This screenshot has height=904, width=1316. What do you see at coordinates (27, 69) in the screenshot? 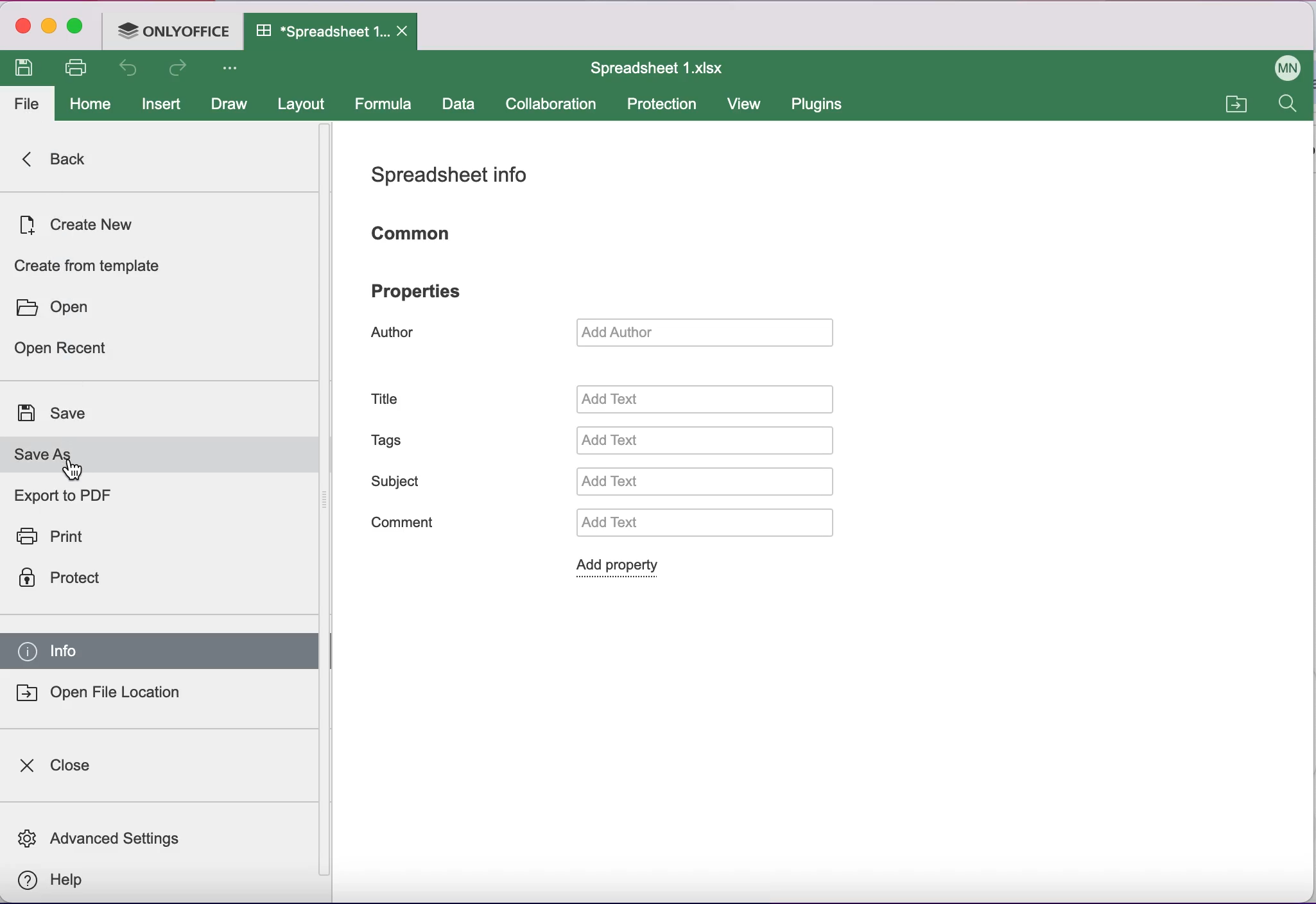
I see `save` at bounding box center [27, 69].